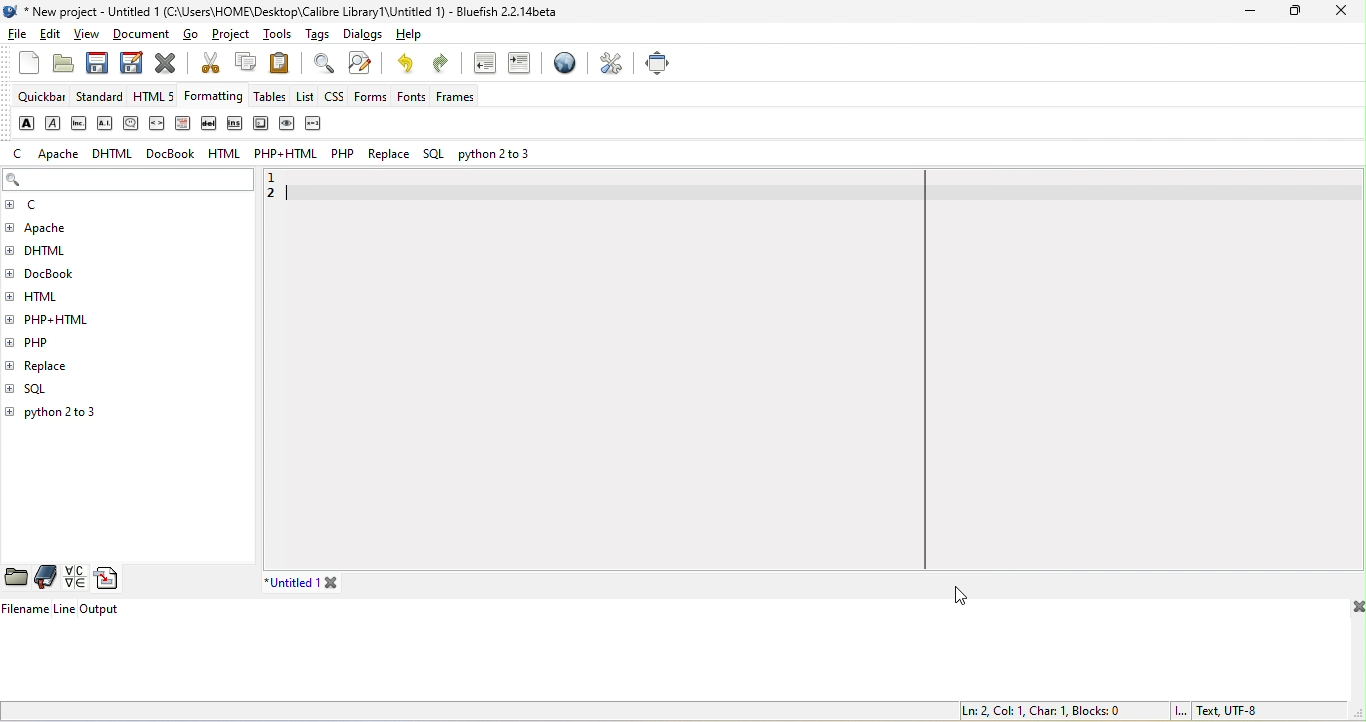 The image size is (1366, 722). What do you see at coordinates (301, 96) in the screenshot?
I see `list` at bounding box center [301, 96].